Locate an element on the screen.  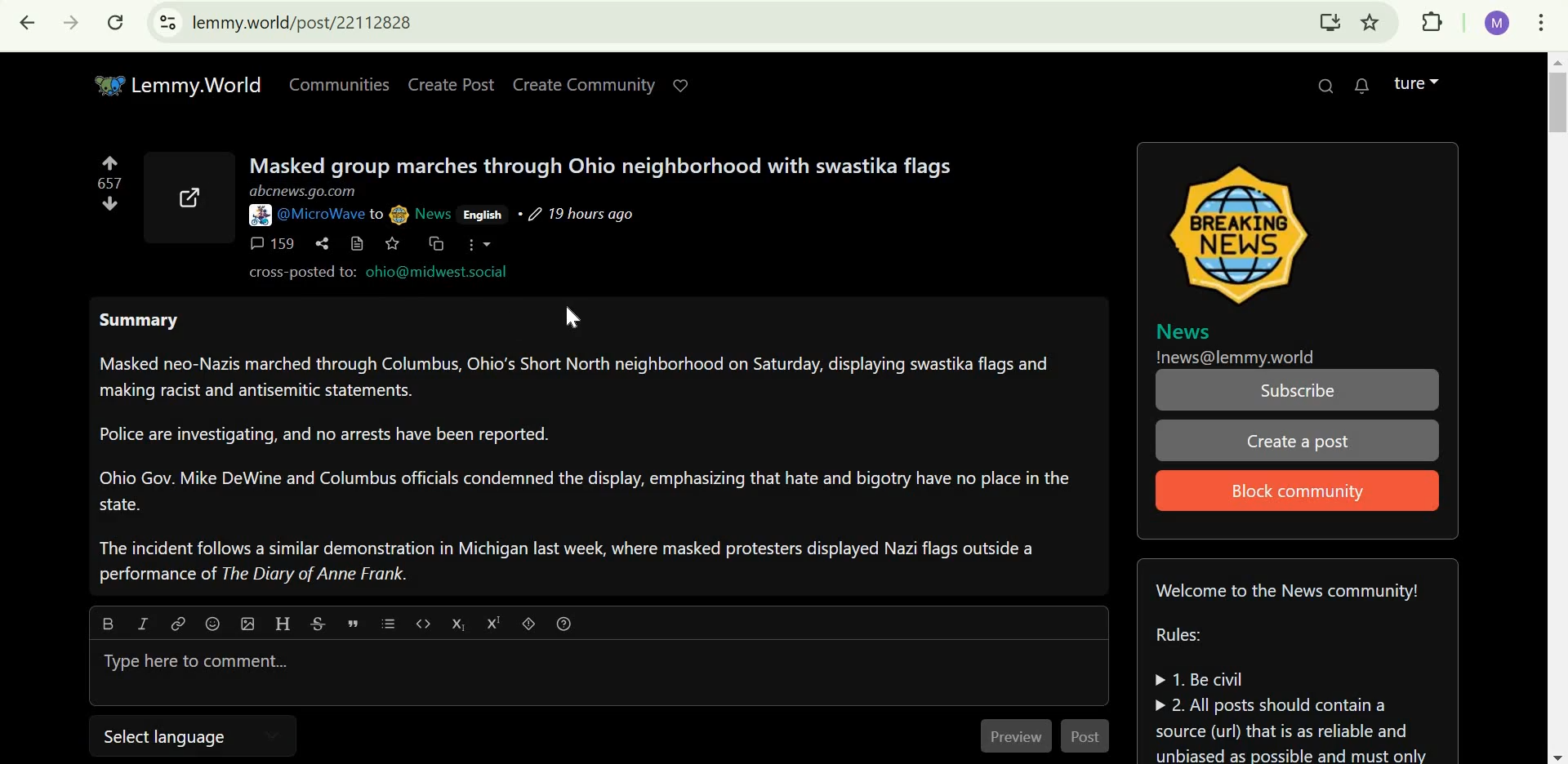
bold is located at coordinates (105, 623).